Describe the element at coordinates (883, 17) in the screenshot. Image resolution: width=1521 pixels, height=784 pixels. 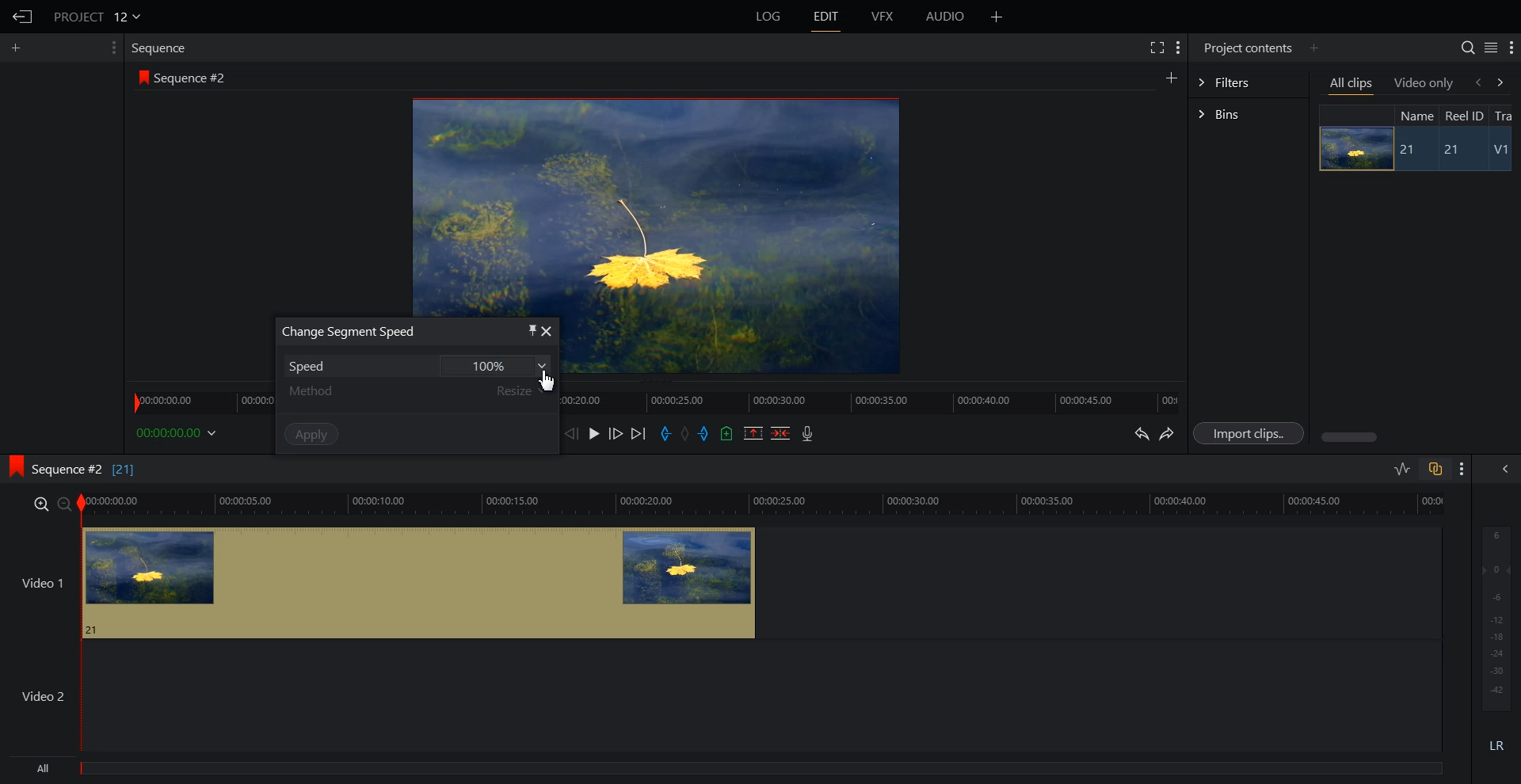
I see `VFX` at that location.